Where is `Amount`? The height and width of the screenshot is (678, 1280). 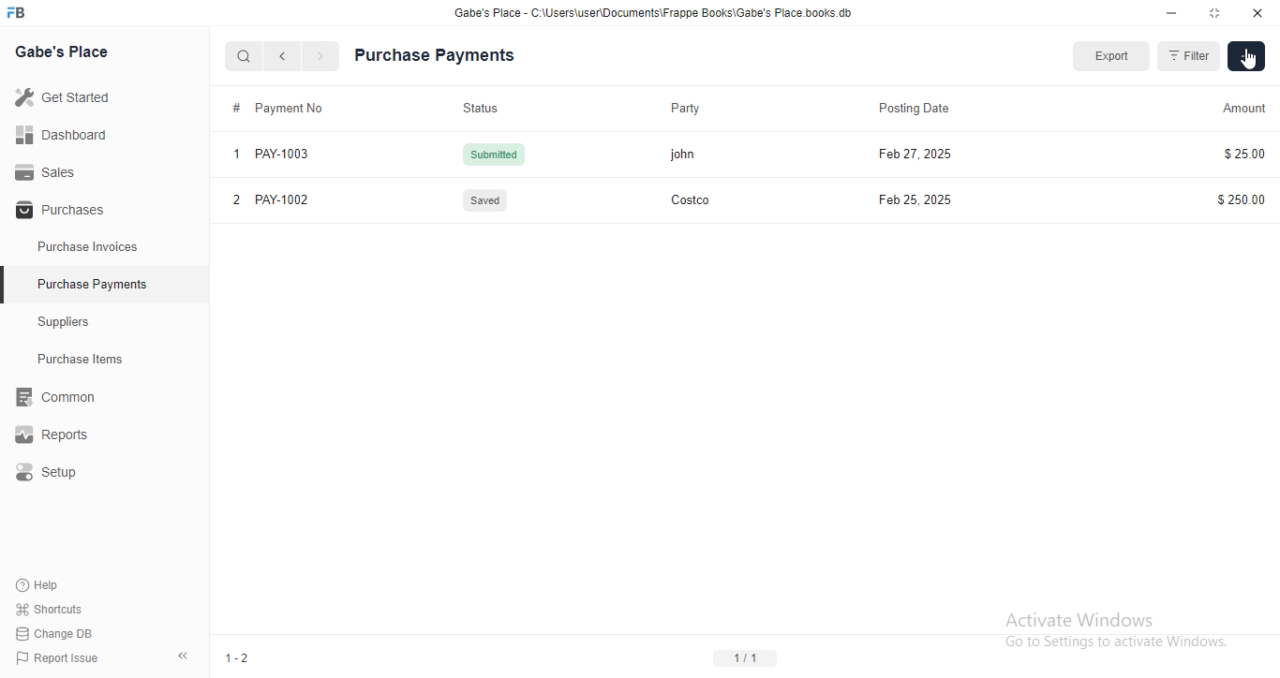
Amount is located at coordinates (1242, 108).